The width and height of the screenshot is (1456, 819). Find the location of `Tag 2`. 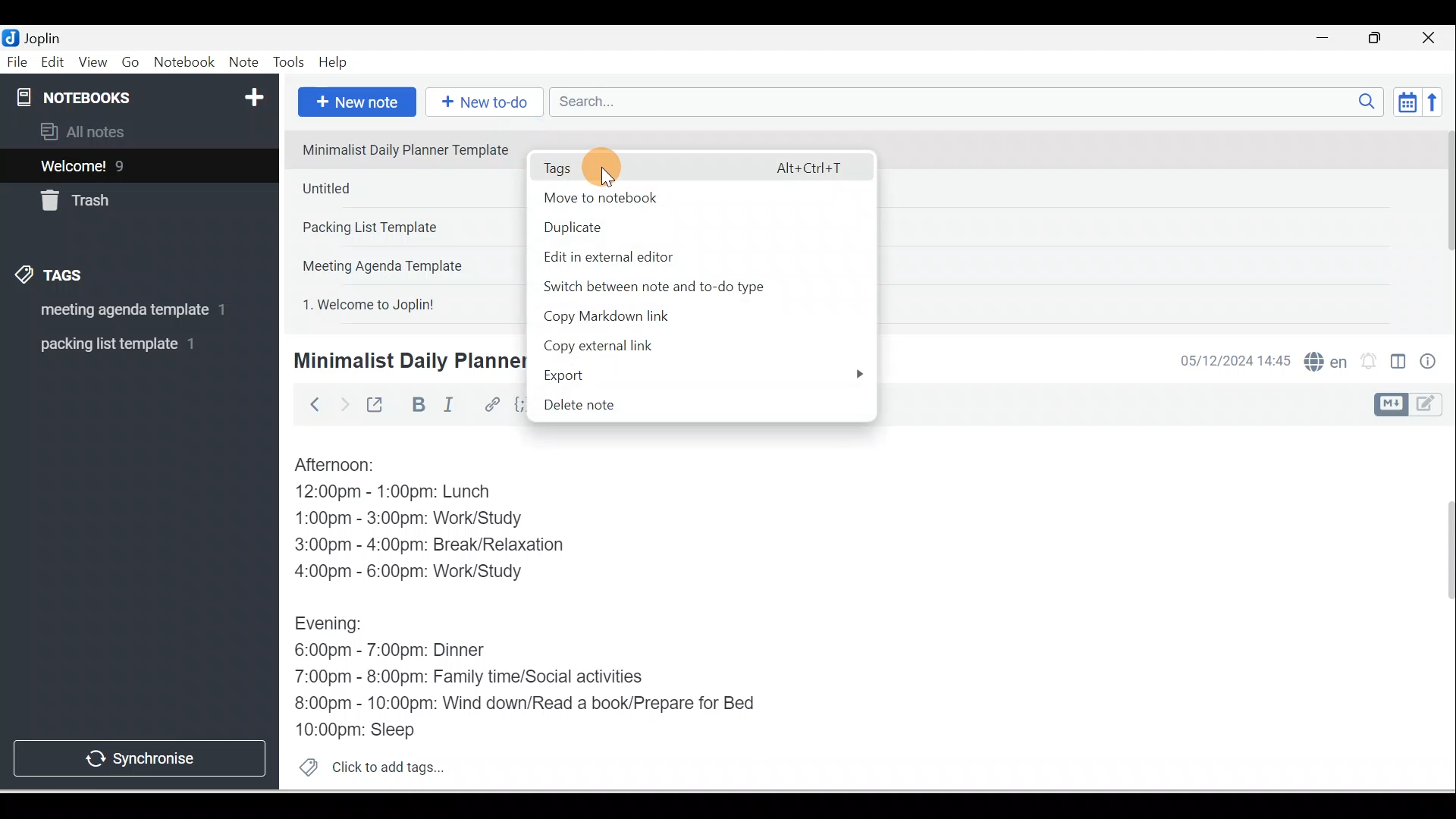

Tag 2 is located at coordinates (128, 344).